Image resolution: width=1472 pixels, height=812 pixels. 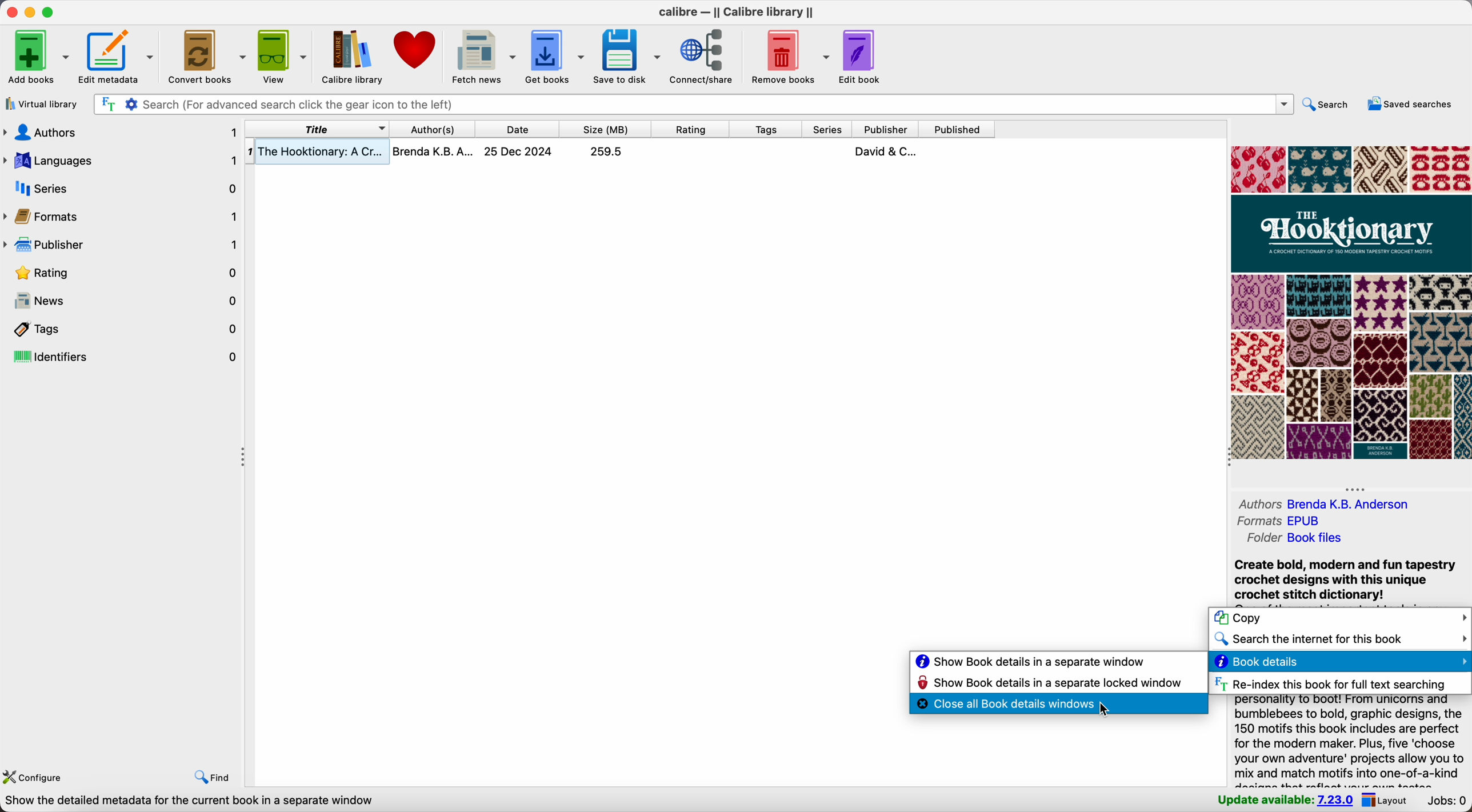 What do you see at coordinates (957, 129) in the screenshot?
I see `published` at bounding box center [957, 129].